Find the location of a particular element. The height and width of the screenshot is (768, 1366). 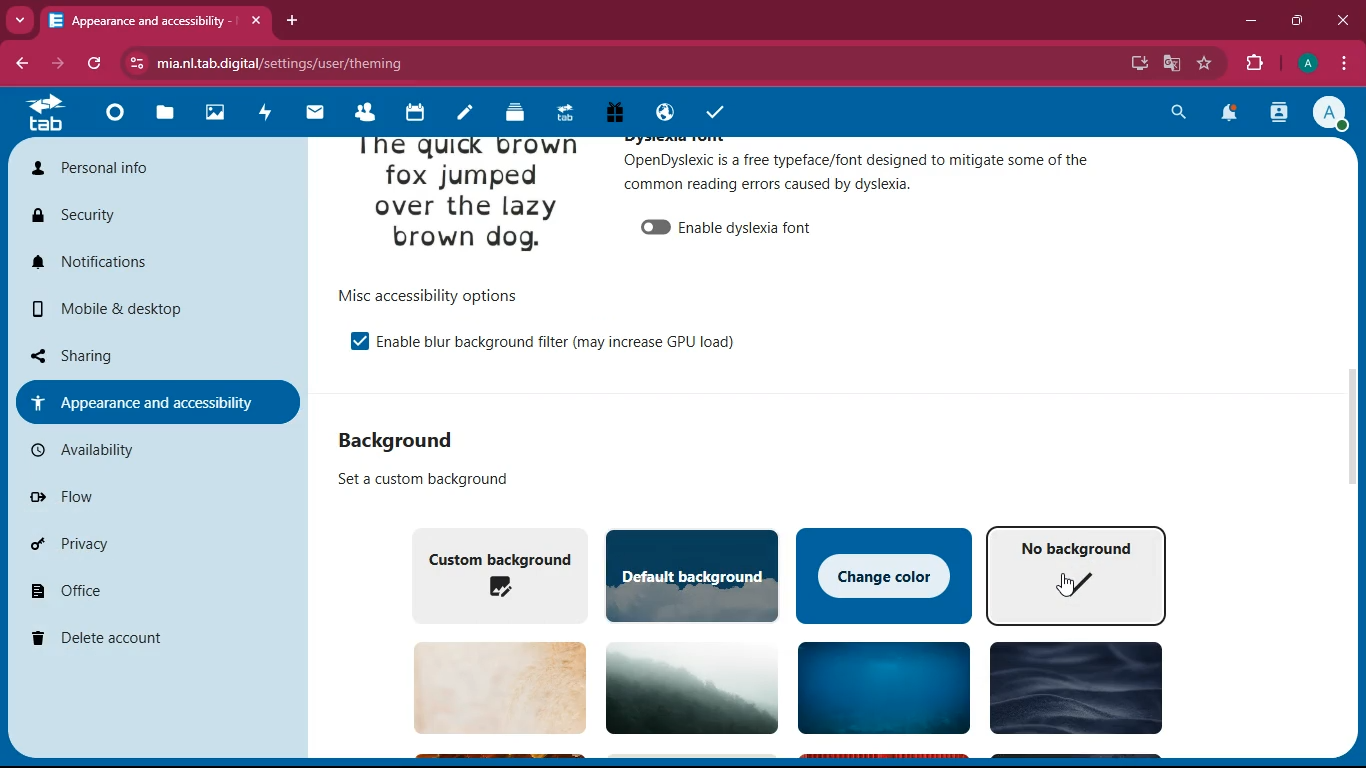

background is located at coordinates (412, 439).